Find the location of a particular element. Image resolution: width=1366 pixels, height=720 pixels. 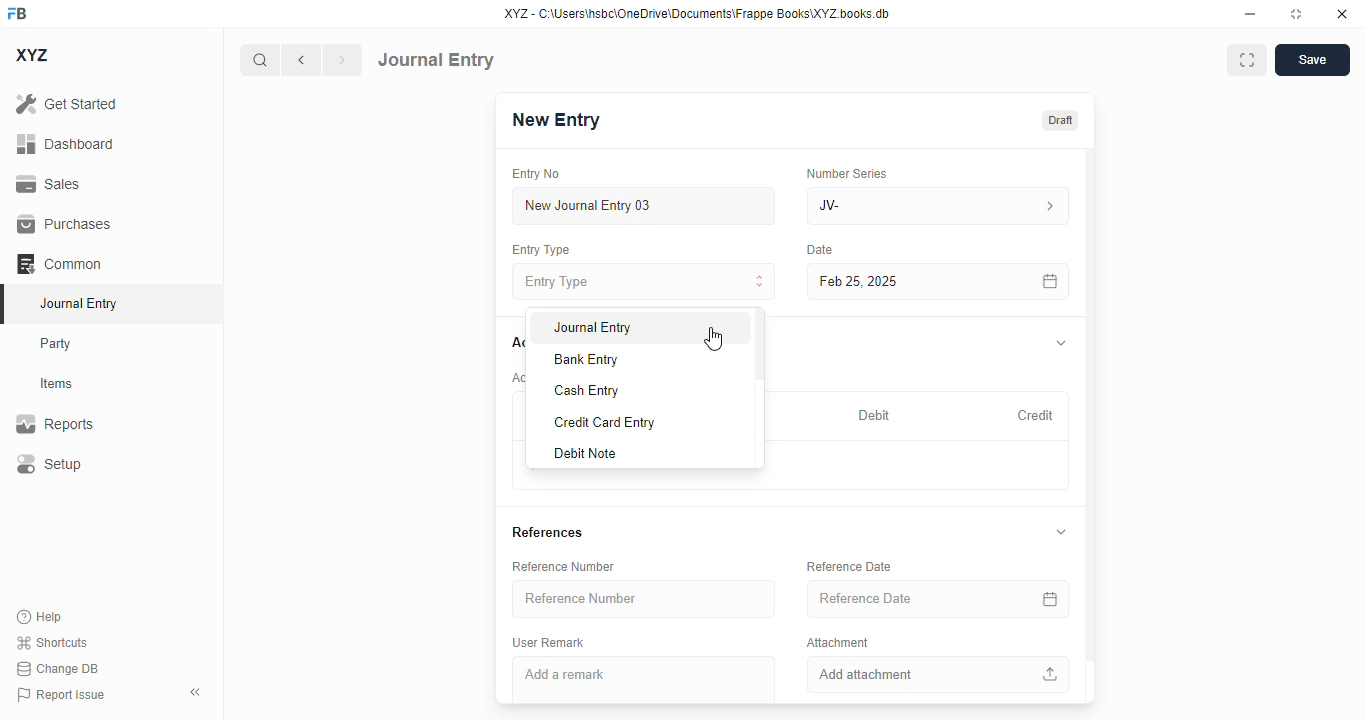

cash entry is located at coordinates (586, 391).